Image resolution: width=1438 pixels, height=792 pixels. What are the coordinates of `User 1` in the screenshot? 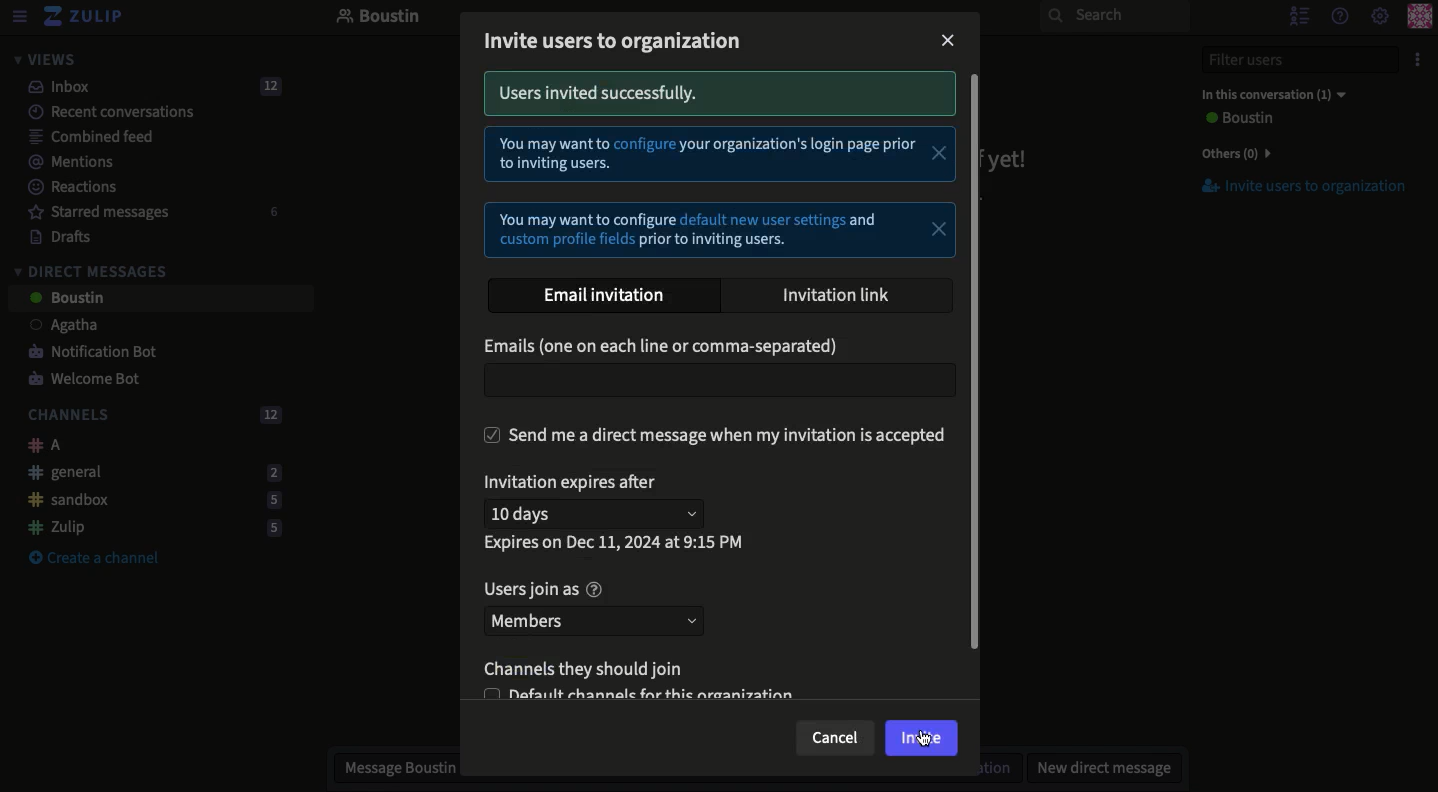 It's located at (53, 327).